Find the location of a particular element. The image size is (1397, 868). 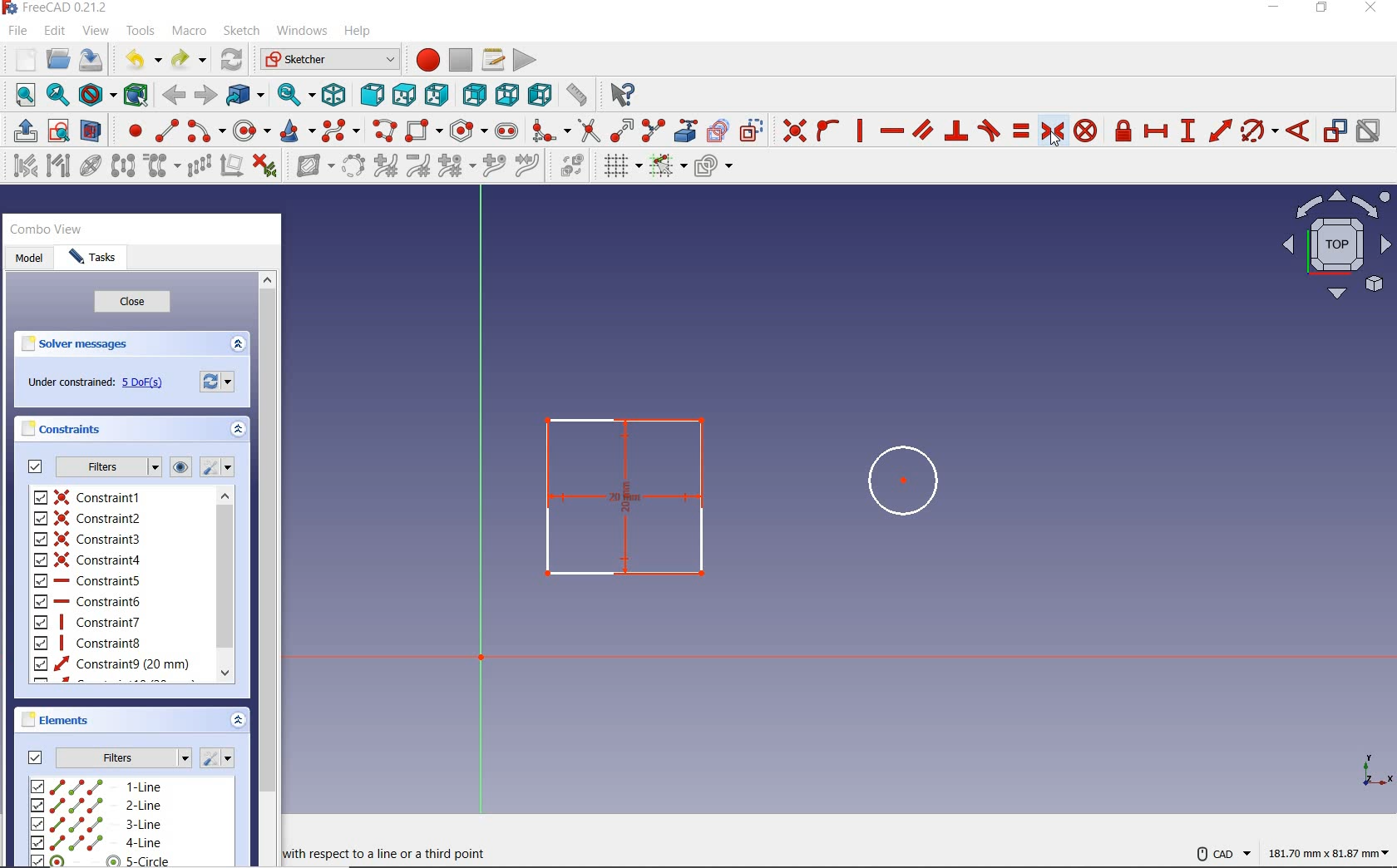

expand is located at coordinates (239, 718).